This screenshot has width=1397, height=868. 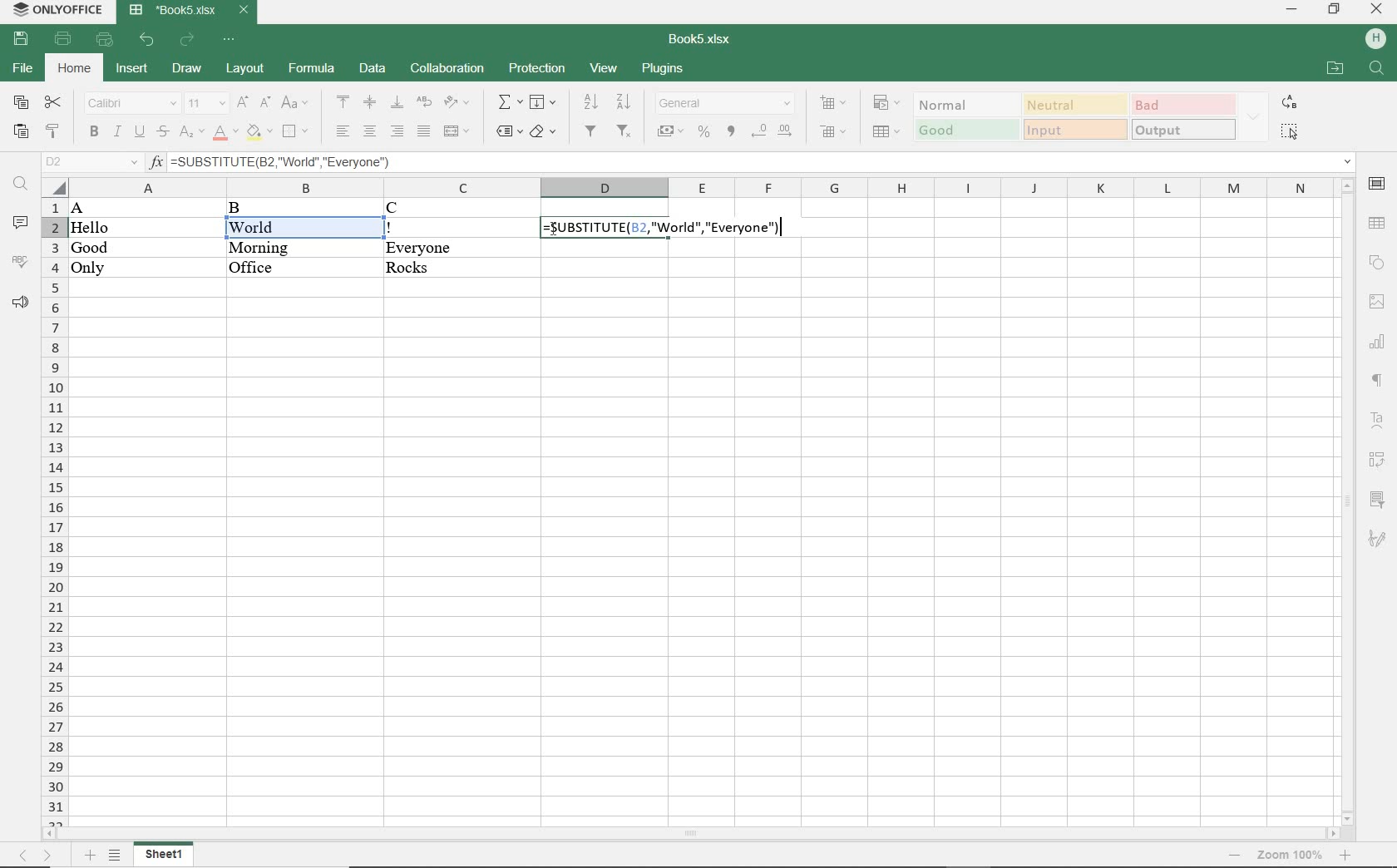 What do you see at coordinates (1377, 262) in the screenshot?
I see `shape` at bounding box center [1377, 262].